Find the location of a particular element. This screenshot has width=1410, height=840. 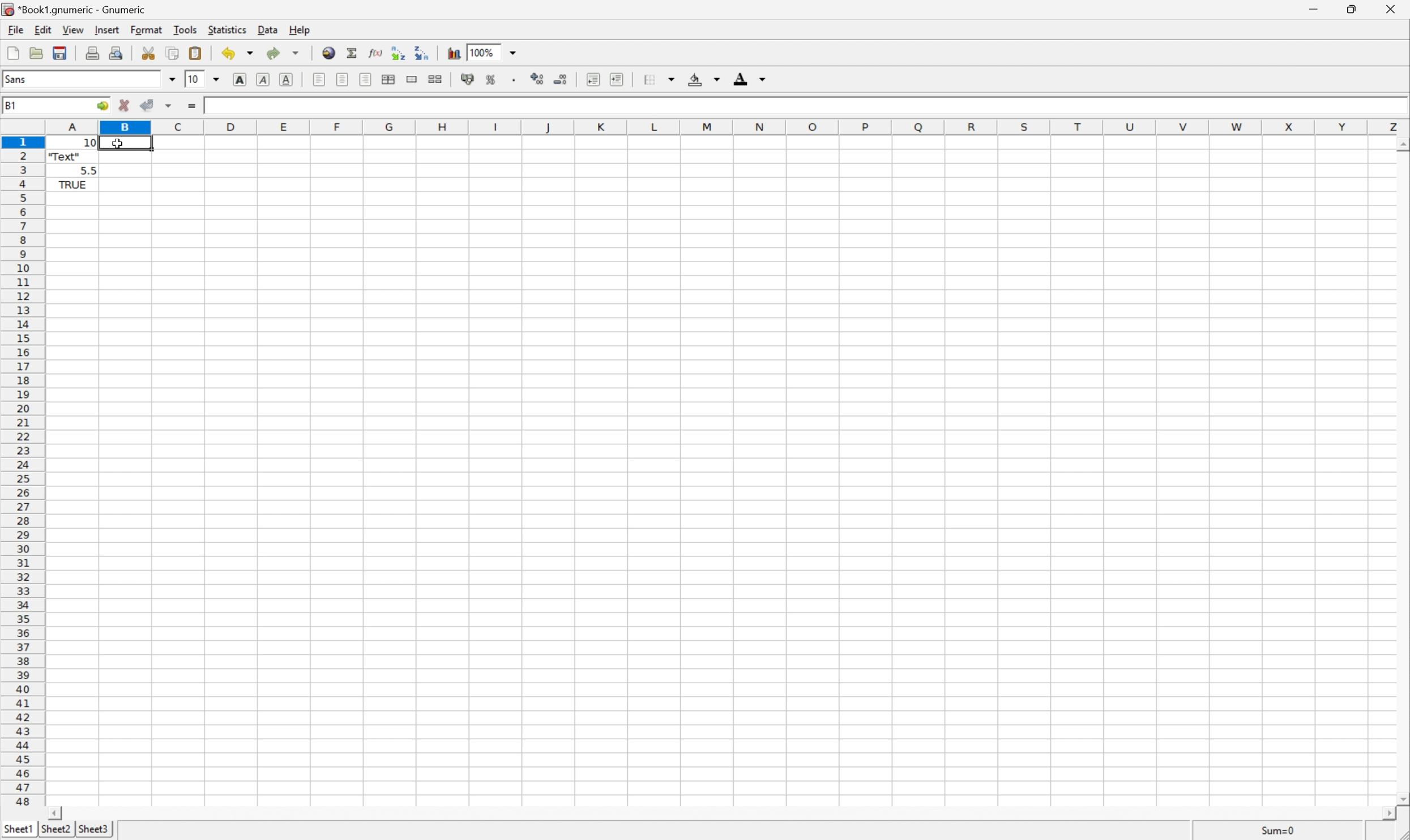

Drop Down is located at coordinates (217, 79).